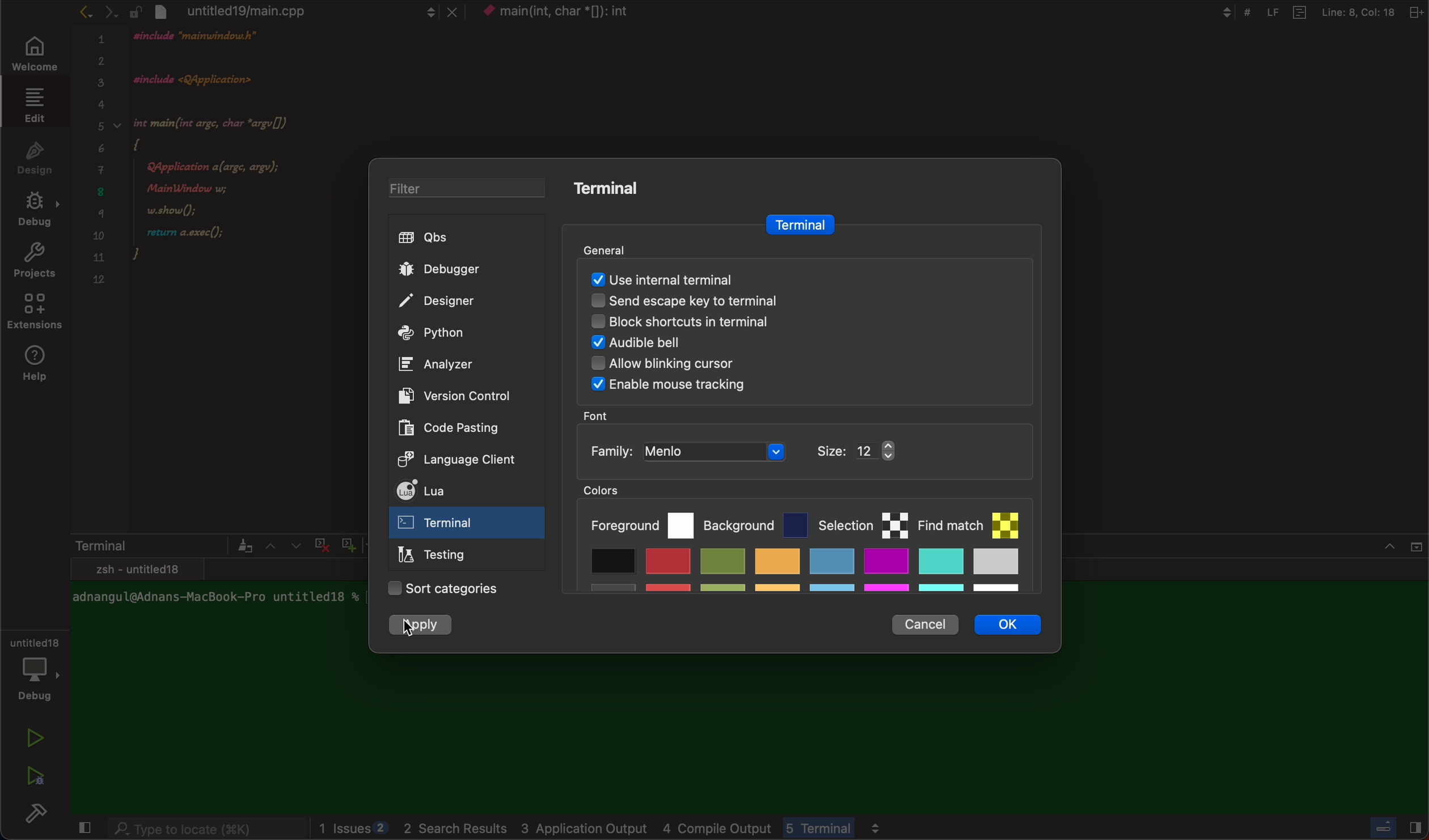 The height and width of the screenshot is (840, 1429). I want to click on file information, so click(1313, 12).